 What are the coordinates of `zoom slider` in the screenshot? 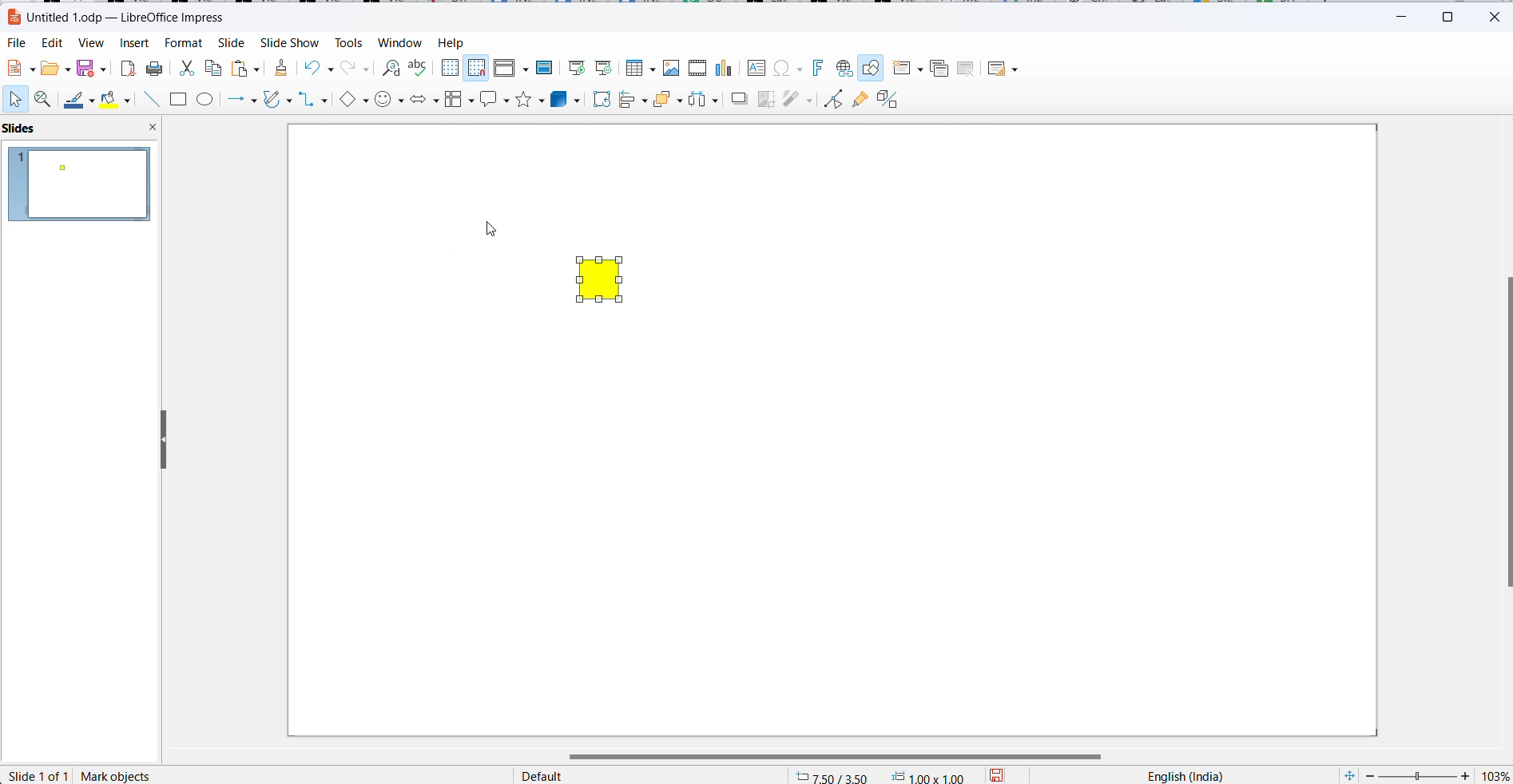 It's located at (1417, 775).